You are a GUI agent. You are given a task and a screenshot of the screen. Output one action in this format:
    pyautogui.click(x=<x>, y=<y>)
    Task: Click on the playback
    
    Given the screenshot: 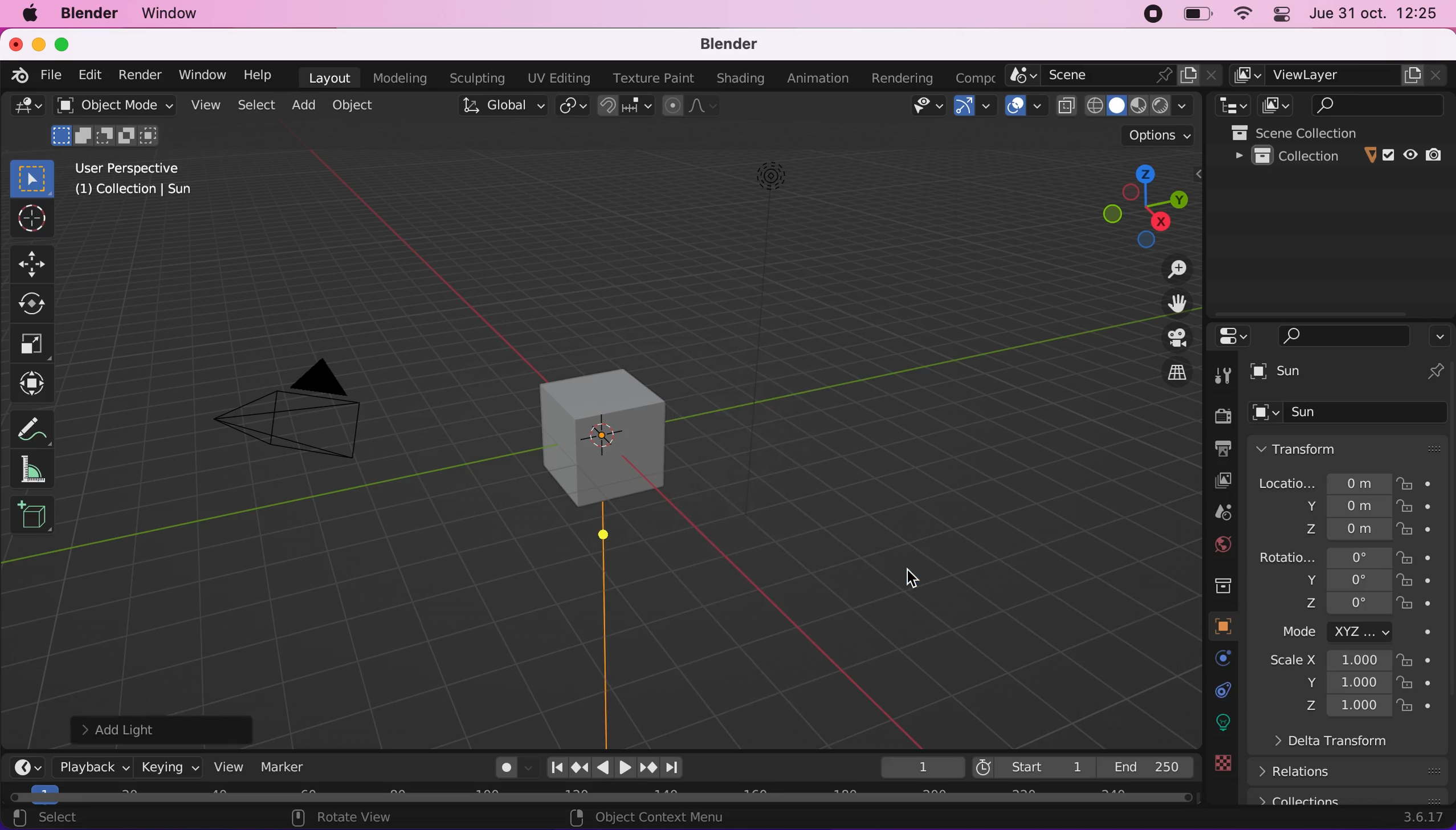 What is the action you would take?
    pyautogui.click(x=87, y=766)
    